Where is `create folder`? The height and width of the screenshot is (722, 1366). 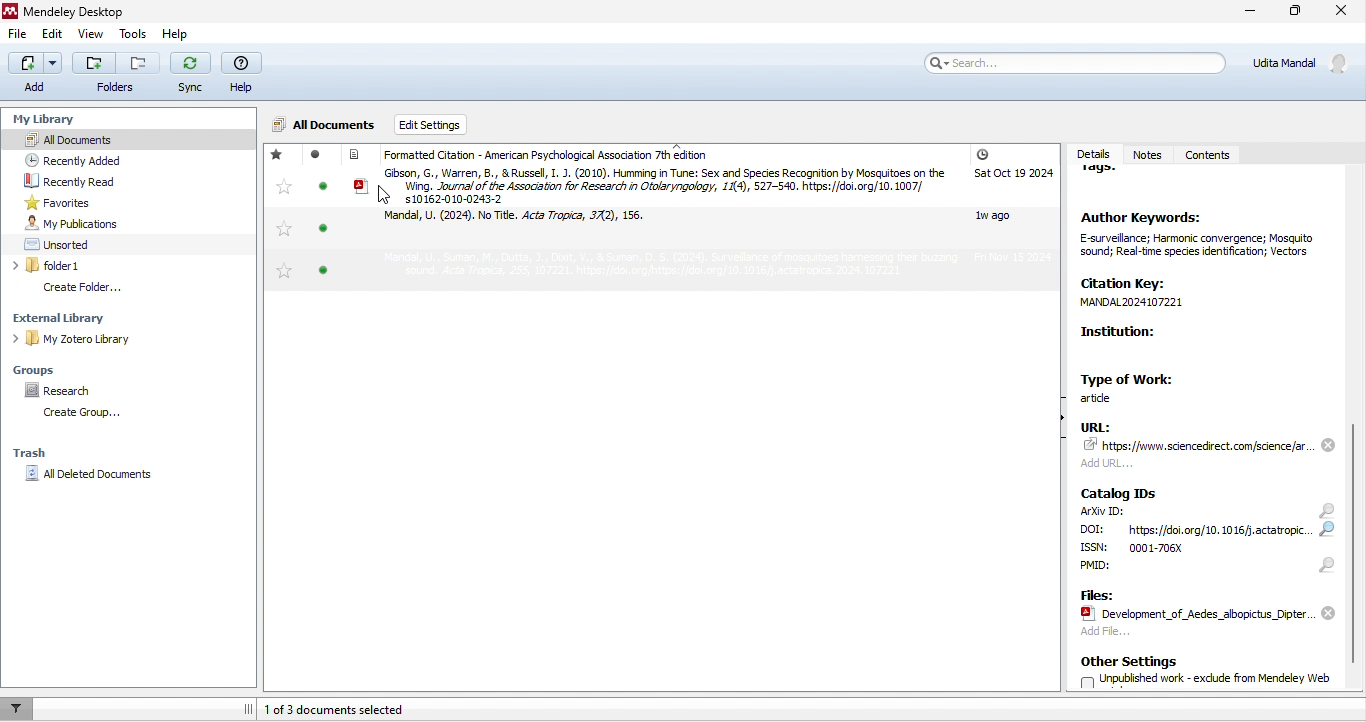
create folder is located at coordinates (99, 287).